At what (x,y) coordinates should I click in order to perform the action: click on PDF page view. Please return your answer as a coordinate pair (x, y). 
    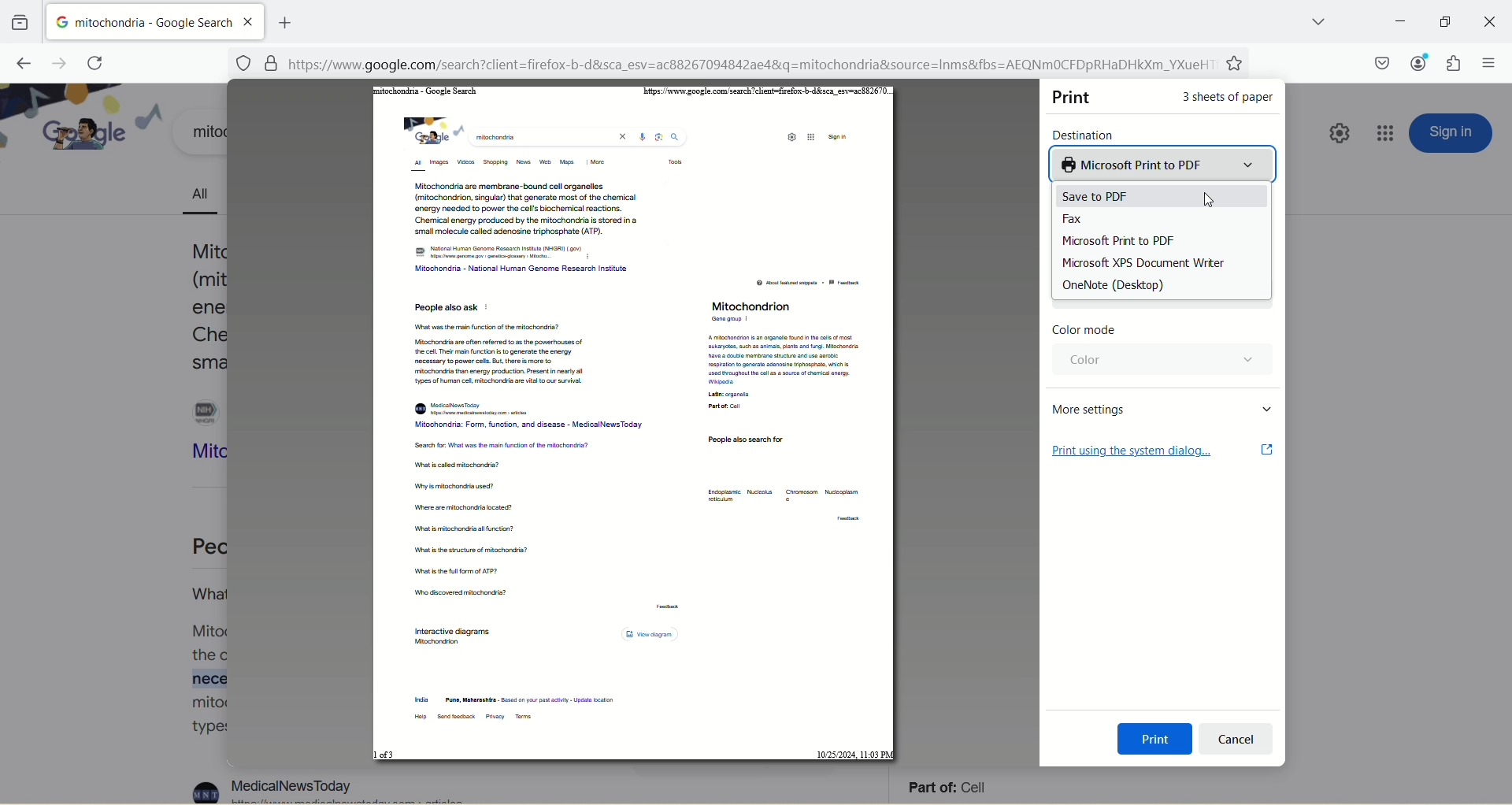
    Looking at the image, I should click on (634, 425).